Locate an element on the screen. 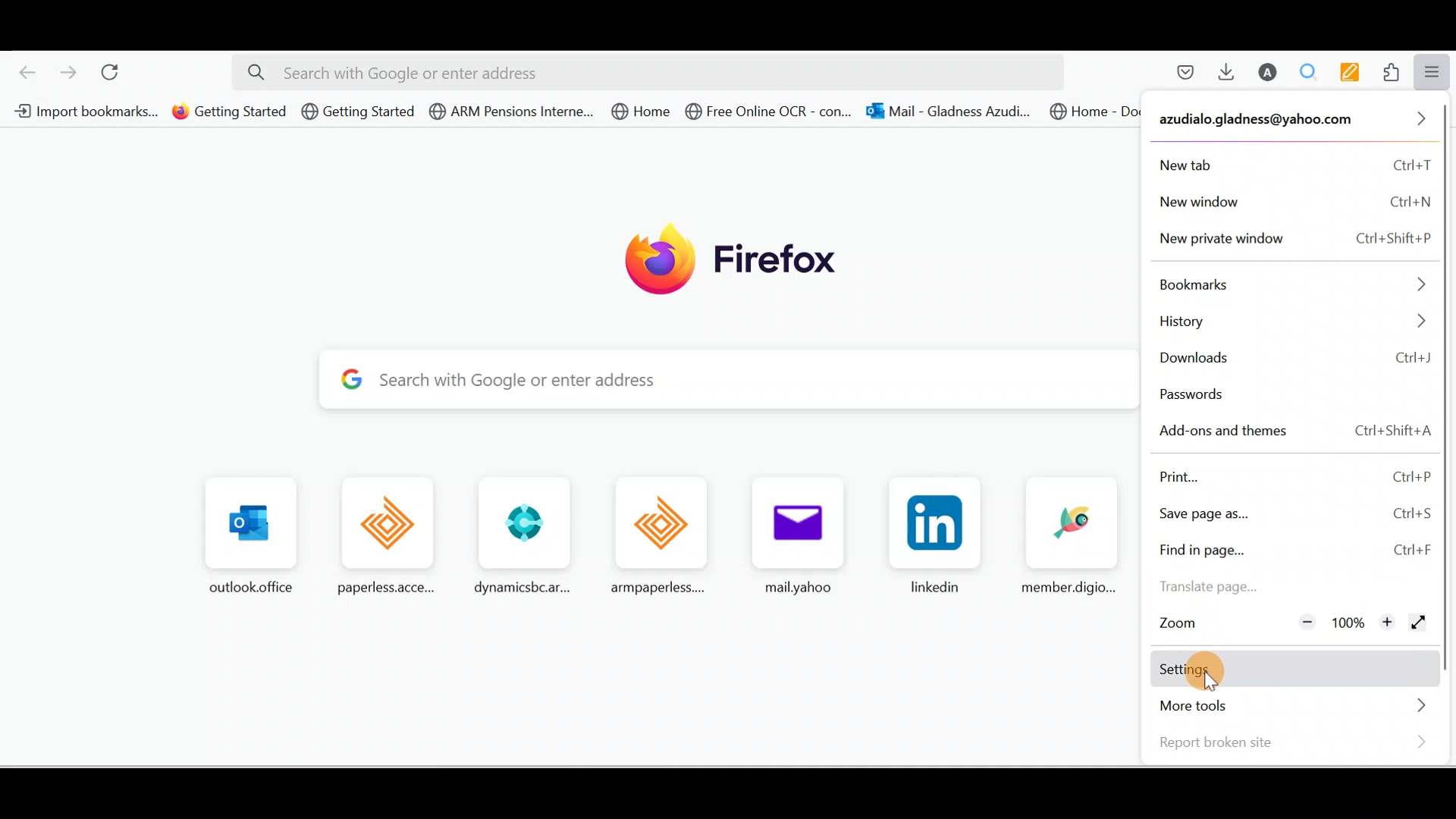 This screenshot has height=819, width=1456. Bookmark 5 is located at coordinates (640, 111).